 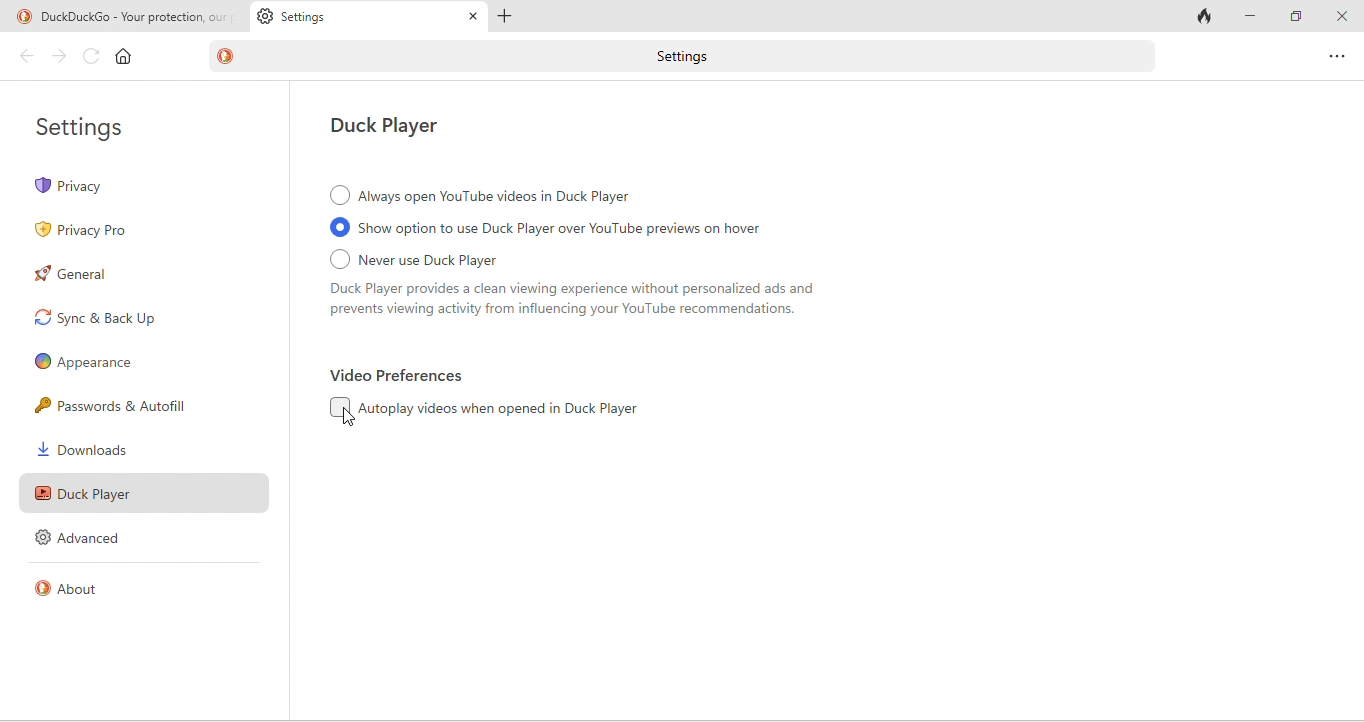 What do you see at coordinates (690, 57) in the screenshot?
I see `settings` at bounding box center [690, 57].